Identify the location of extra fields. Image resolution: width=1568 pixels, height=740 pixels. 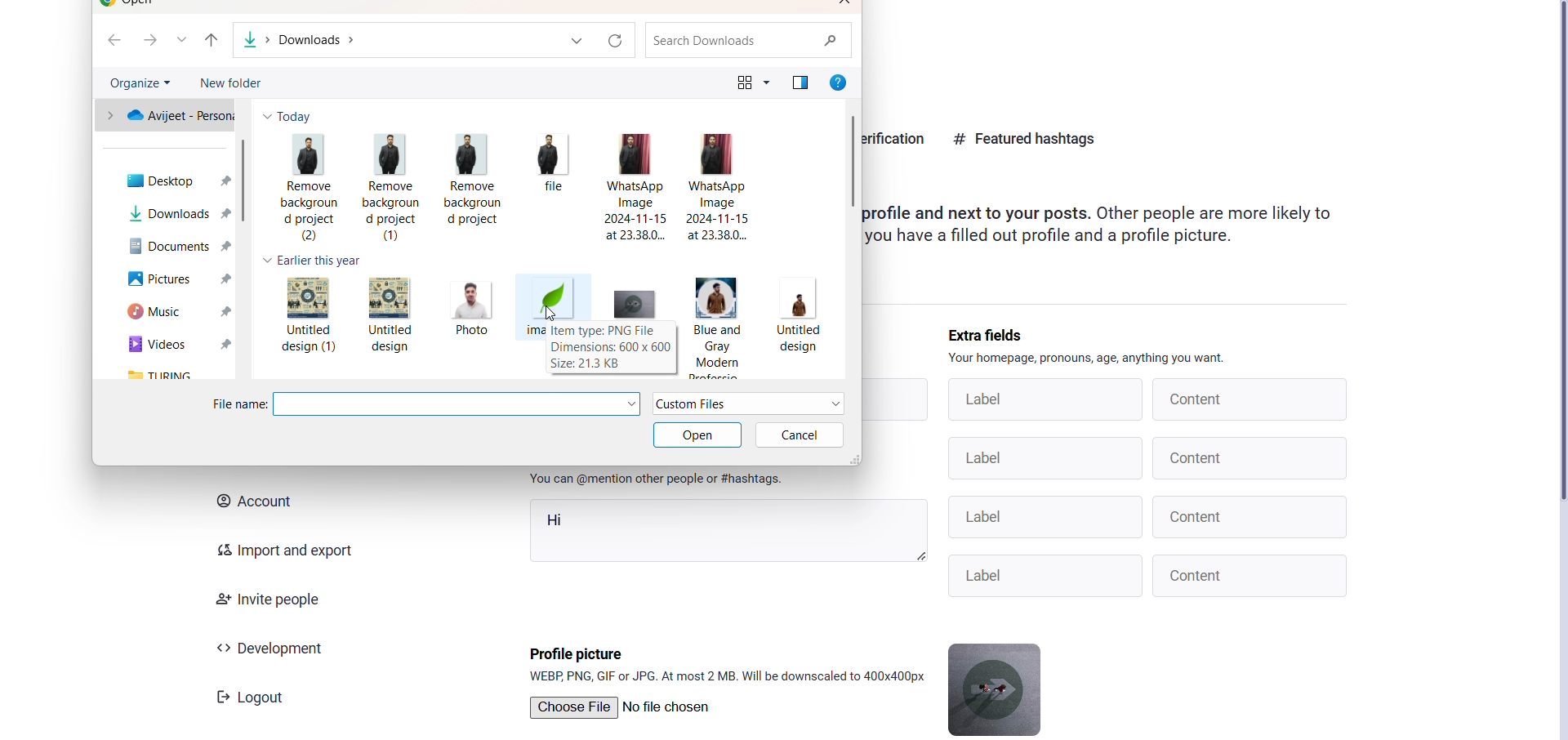
(991, 335).